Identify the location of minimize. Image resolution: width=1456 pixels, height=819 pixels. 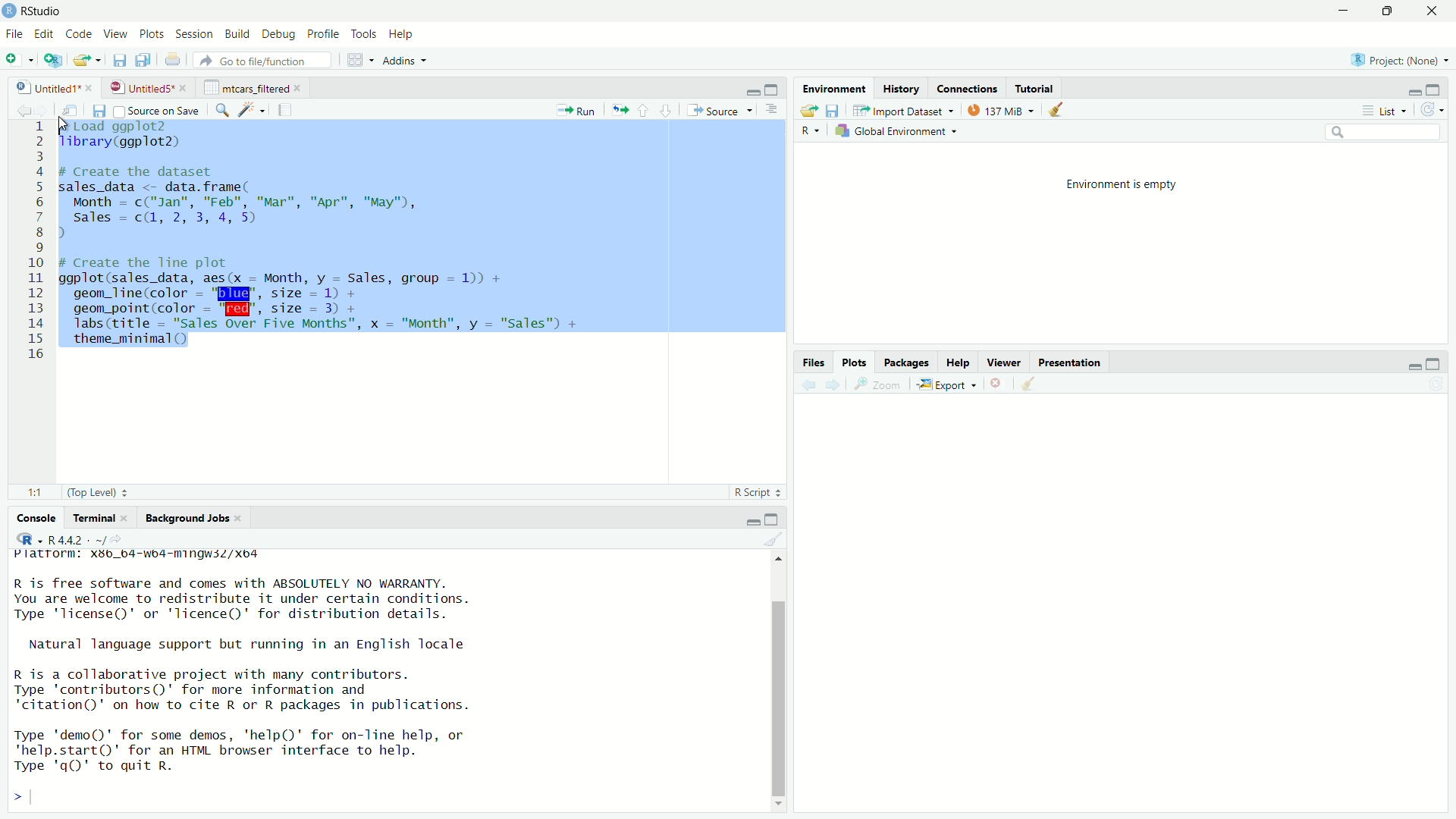
(752, 91).